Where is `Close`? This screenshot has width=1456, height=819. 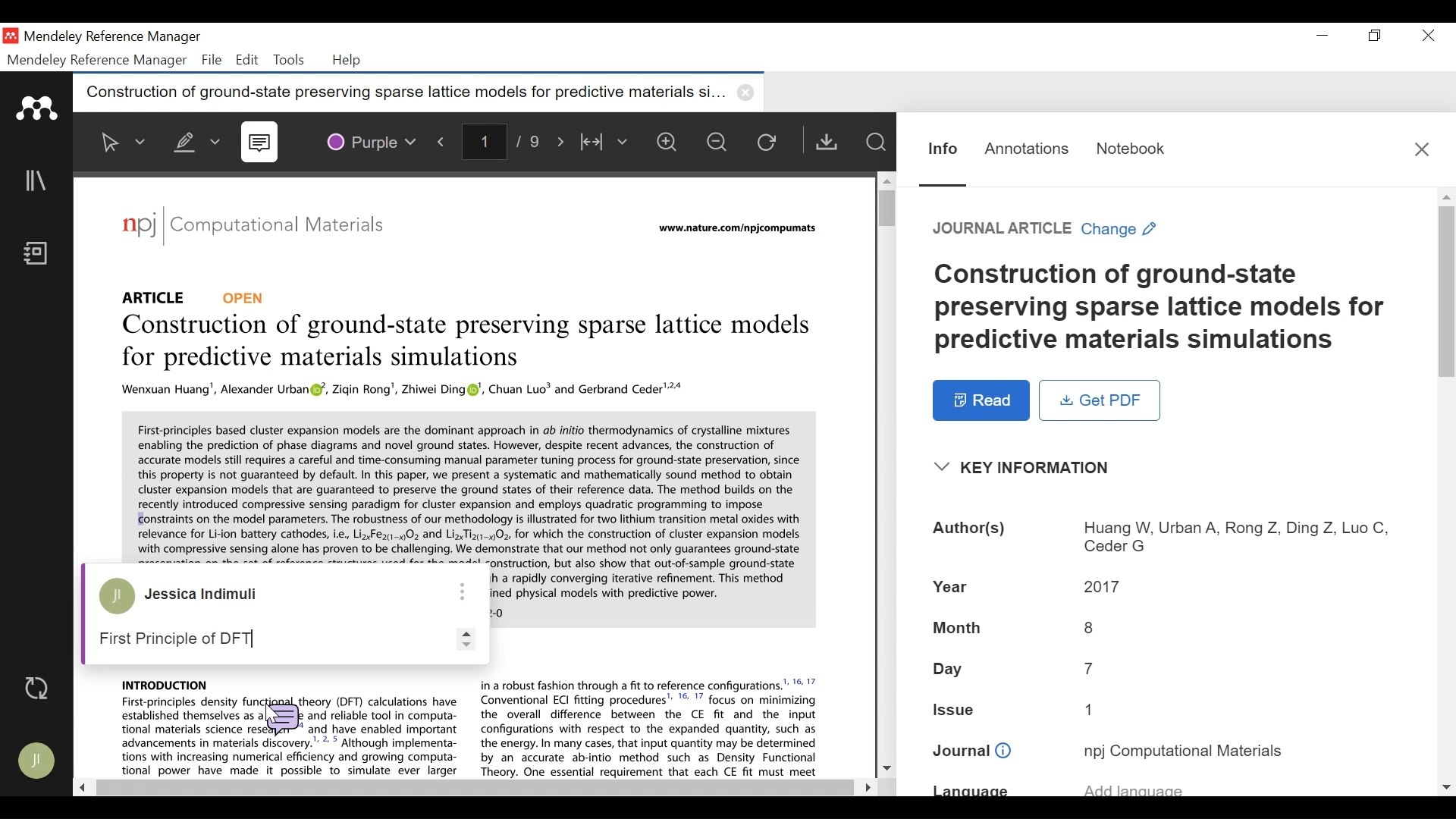 Close is located at coordinates (1429, 36).